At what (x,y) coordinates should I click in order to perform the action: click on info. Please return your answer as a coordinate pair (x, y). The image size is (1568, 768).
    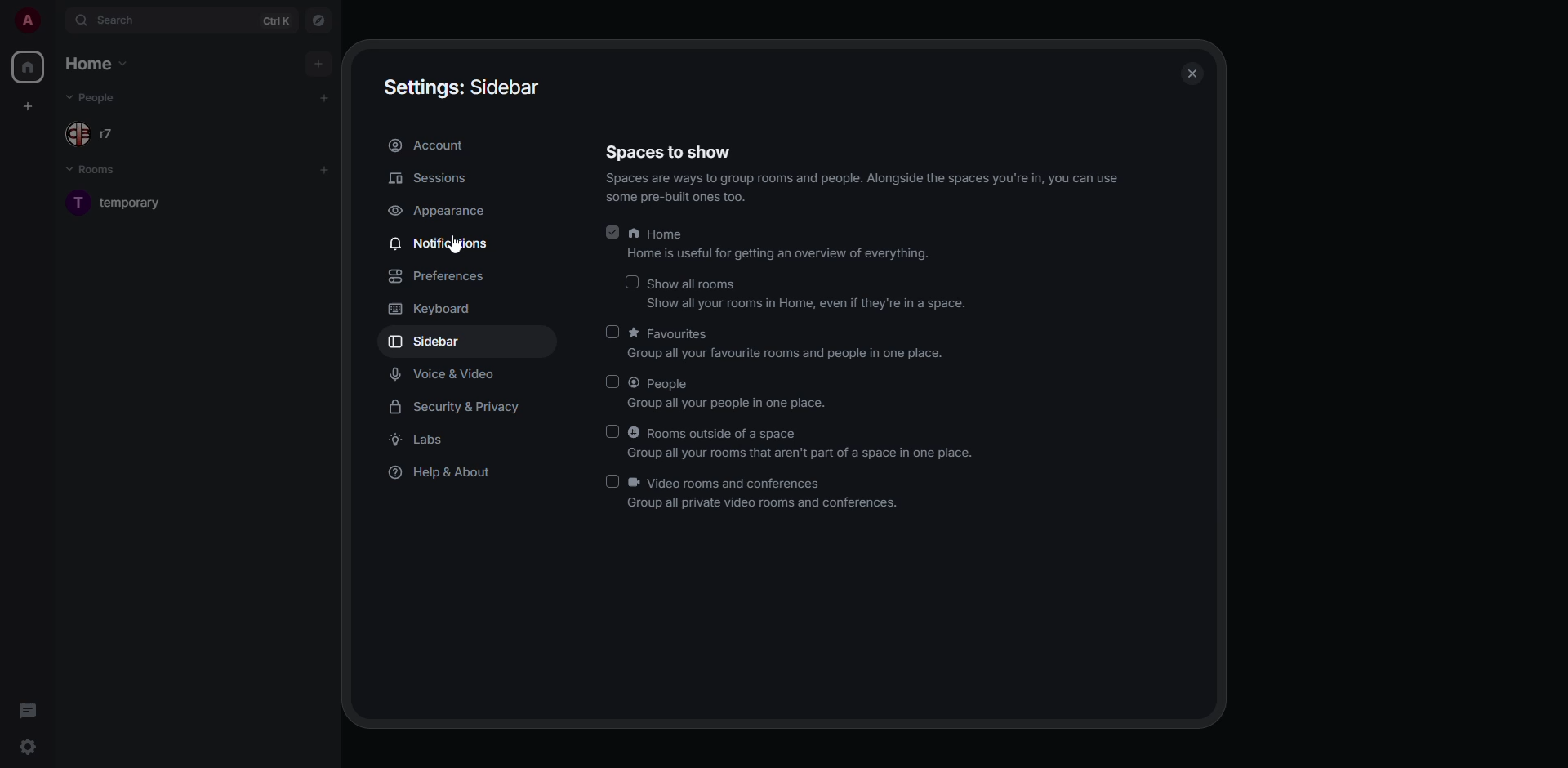
    Looking at the image, I should click on (865, 188).